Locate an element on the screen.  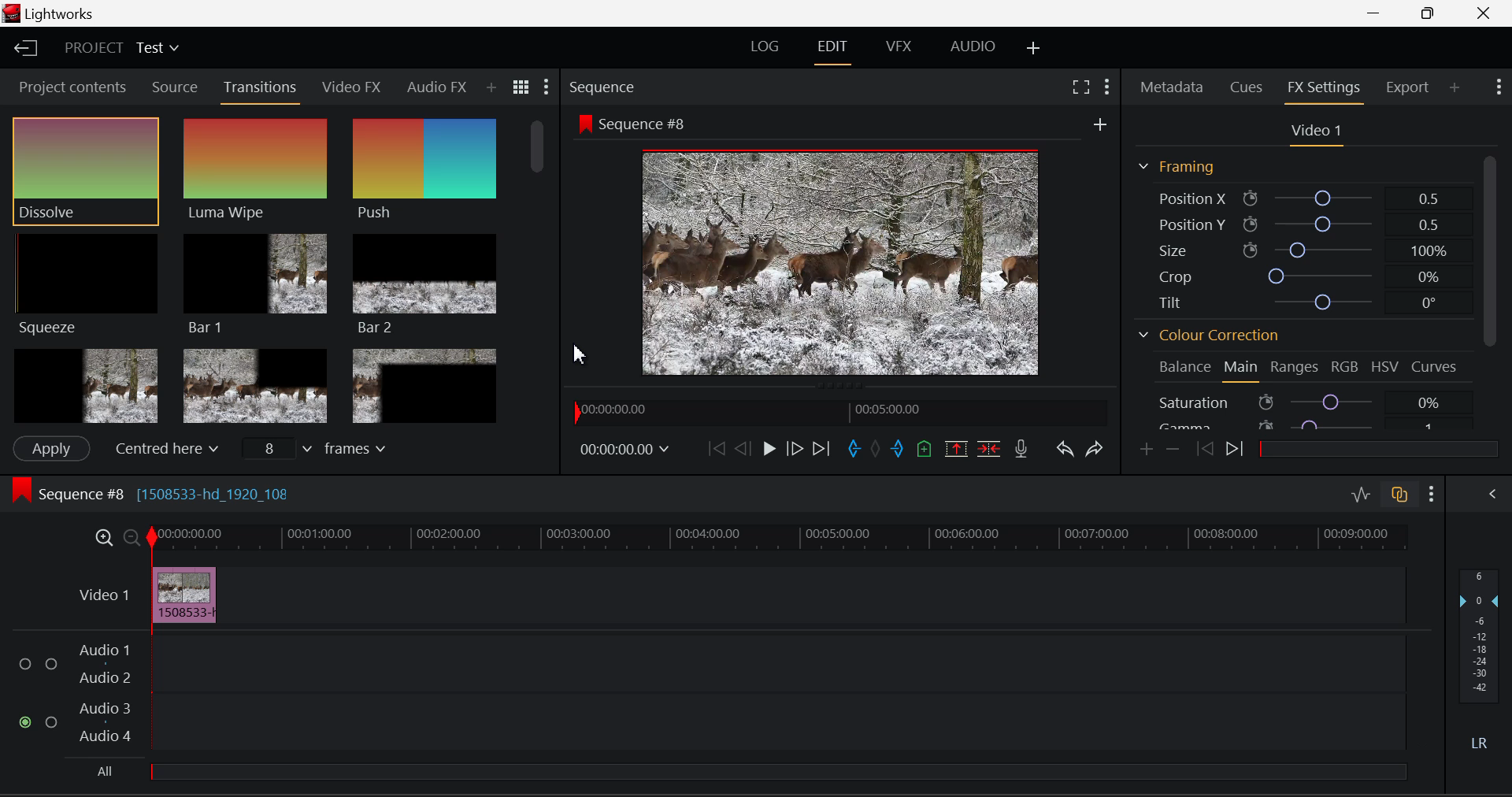
Undo is located at coordinates (1064, 448).